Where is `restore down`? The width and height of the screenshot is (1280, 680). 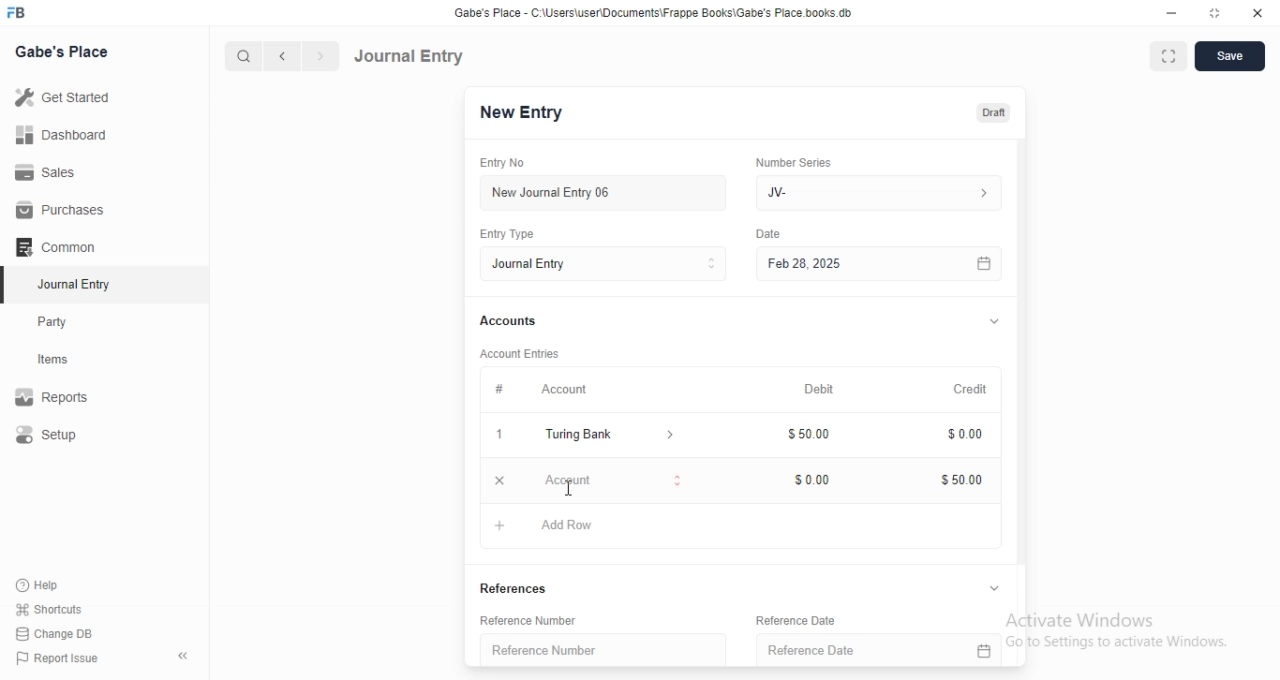 restore down is located at coordinates (1216, 15).